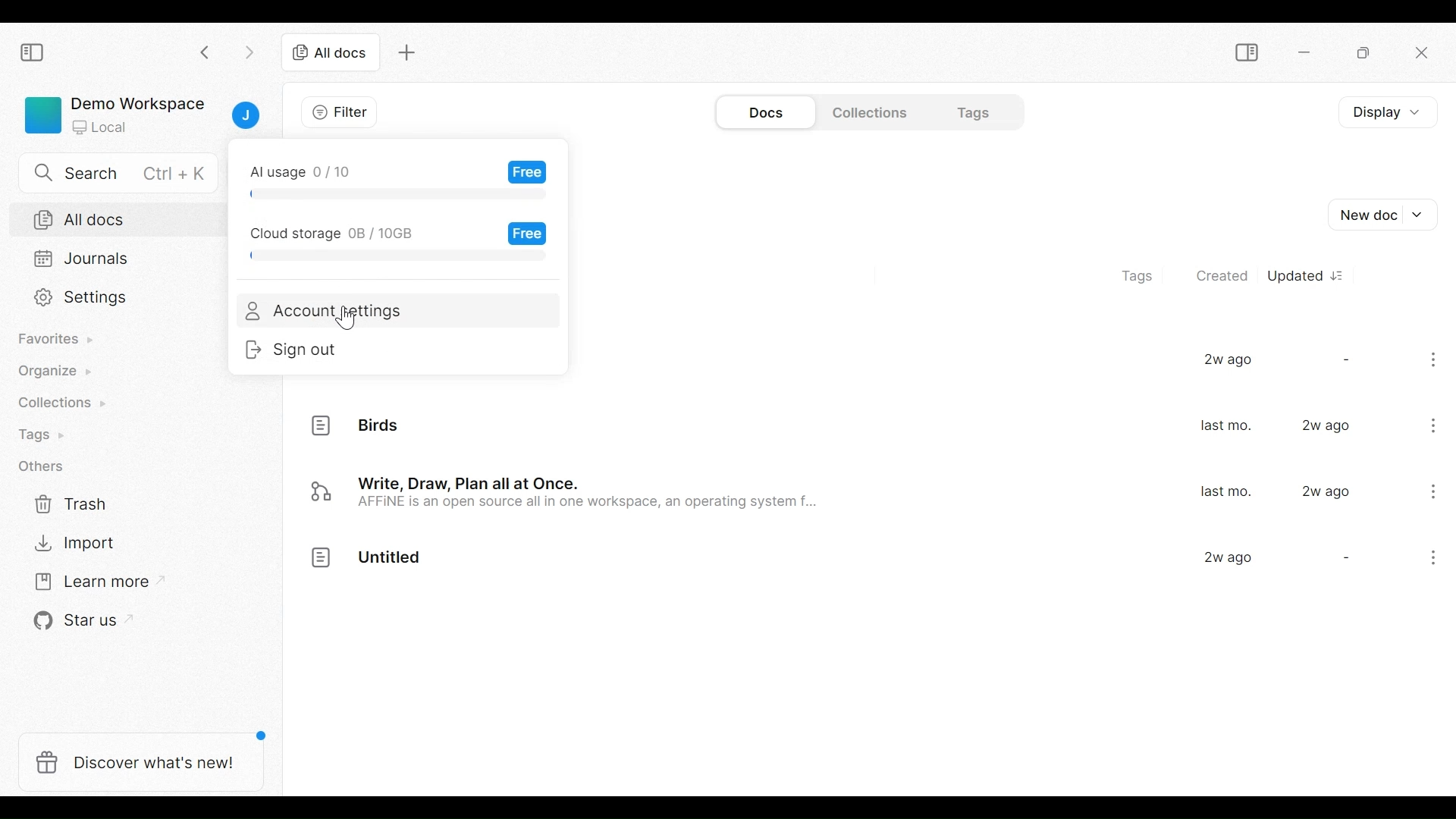 The image size is (1456, 819). Describe the element at coordinates (121, 218) in the screenshot. I see `All documents` at that location.